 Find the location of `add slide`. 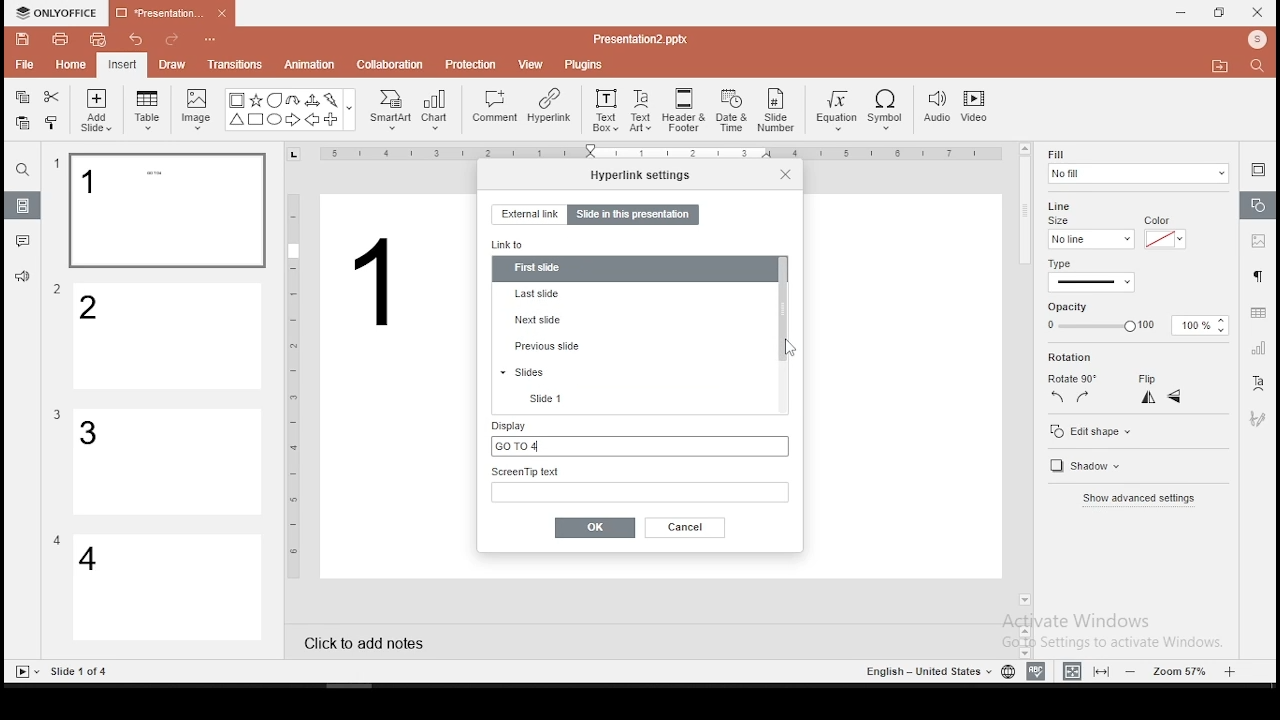

add slide is located at coordinates (96, 110).